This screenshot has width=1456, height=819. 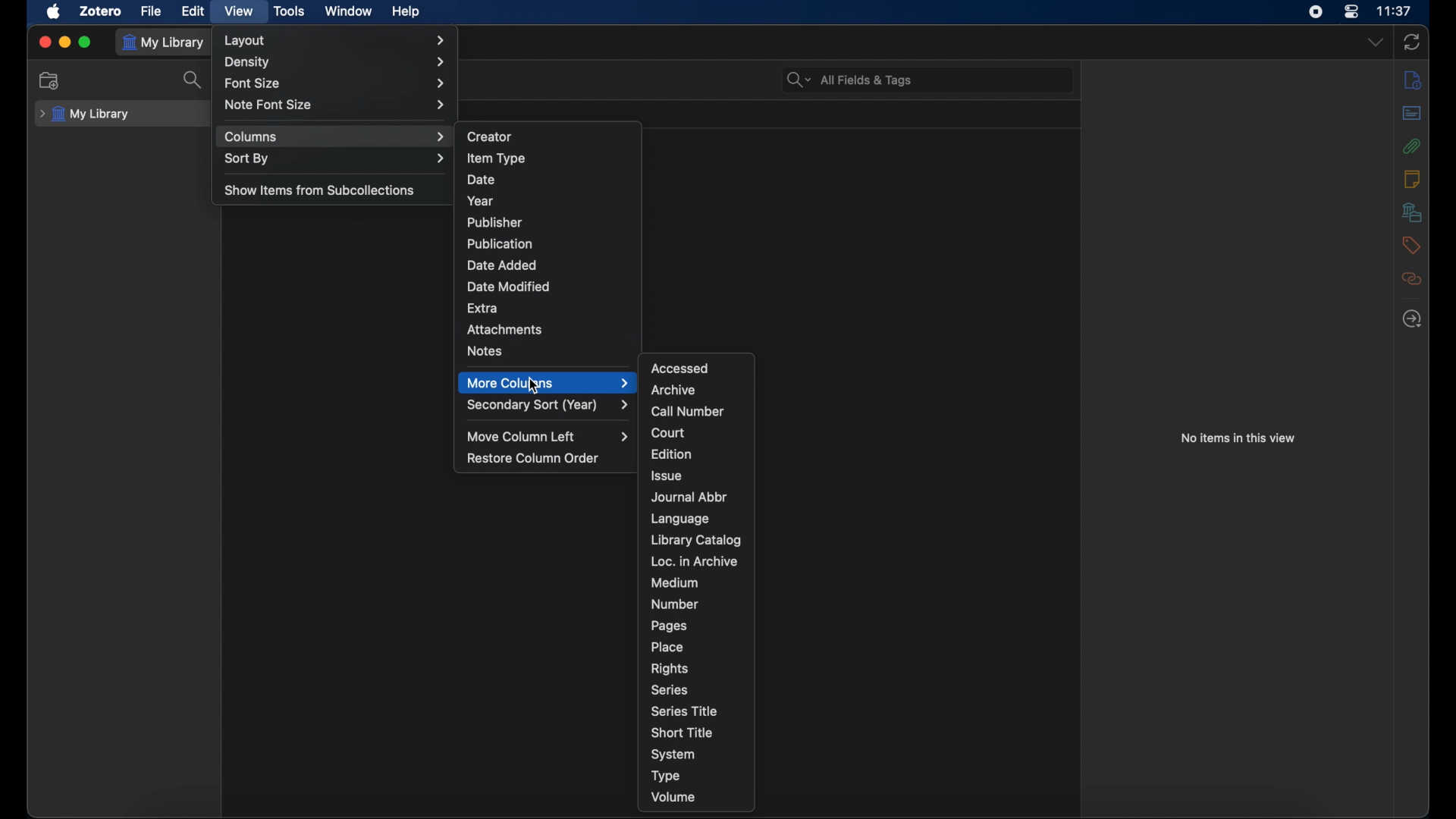 I want to click on rights, so click(x=670, y=668).